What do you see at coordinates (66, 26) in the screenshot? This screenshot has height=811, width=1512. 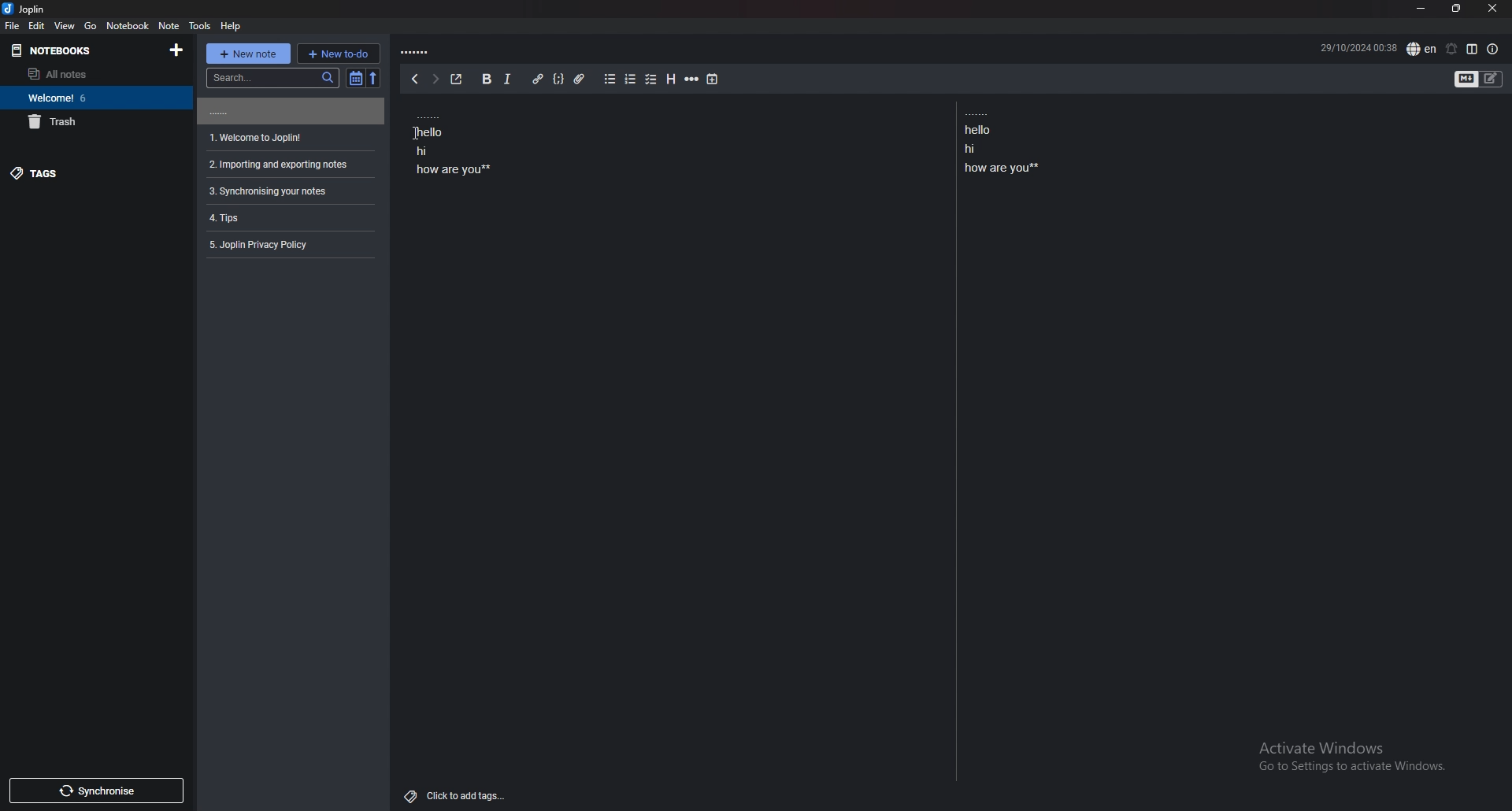 I see `view` at bounding box center [66, 26].